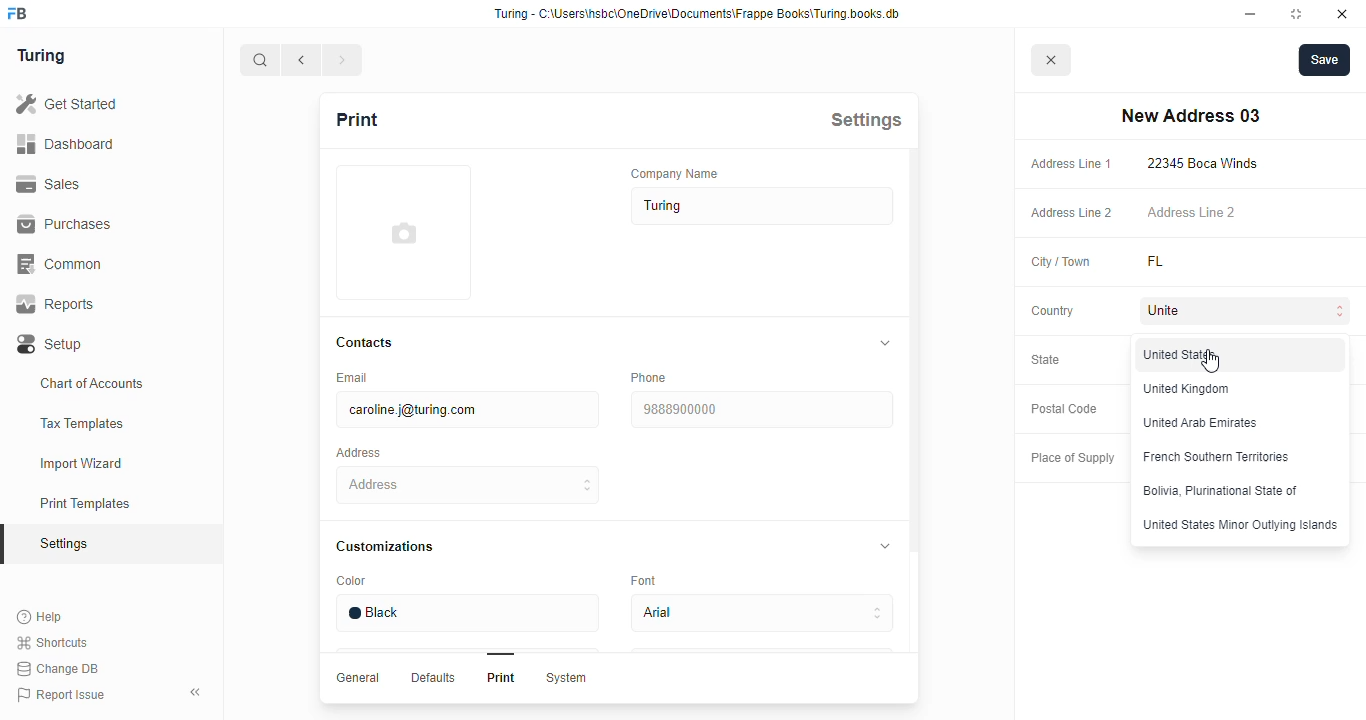 Image resolution: width=1366 pixels, height=720 pixels. I want to click on caroline.j@turing.com, so click(466, 410).